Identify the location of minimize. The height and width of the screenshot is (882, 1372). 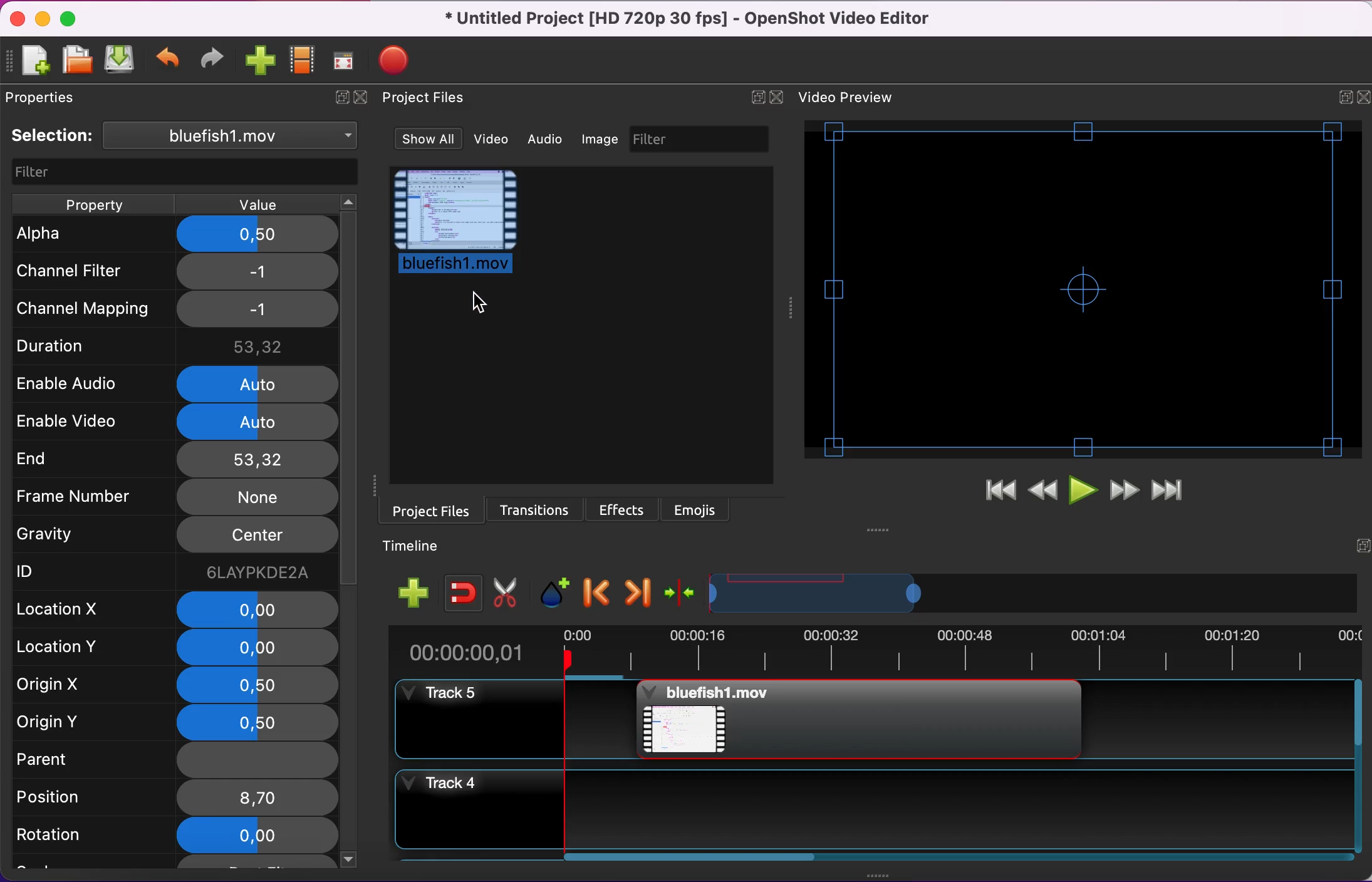
(42, 19).